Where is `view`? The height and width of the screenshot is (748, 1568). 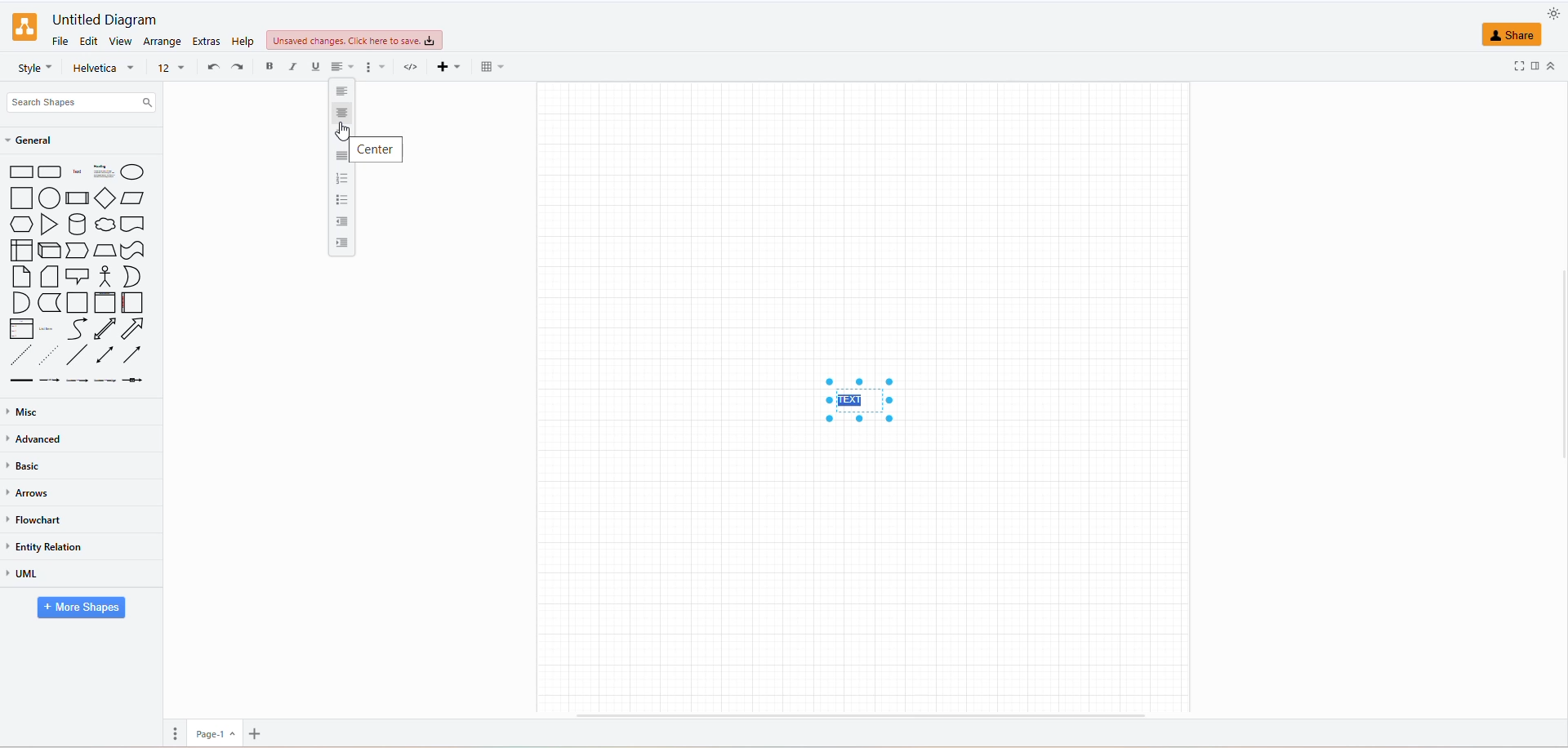
view is located at coordinates (120, 43).